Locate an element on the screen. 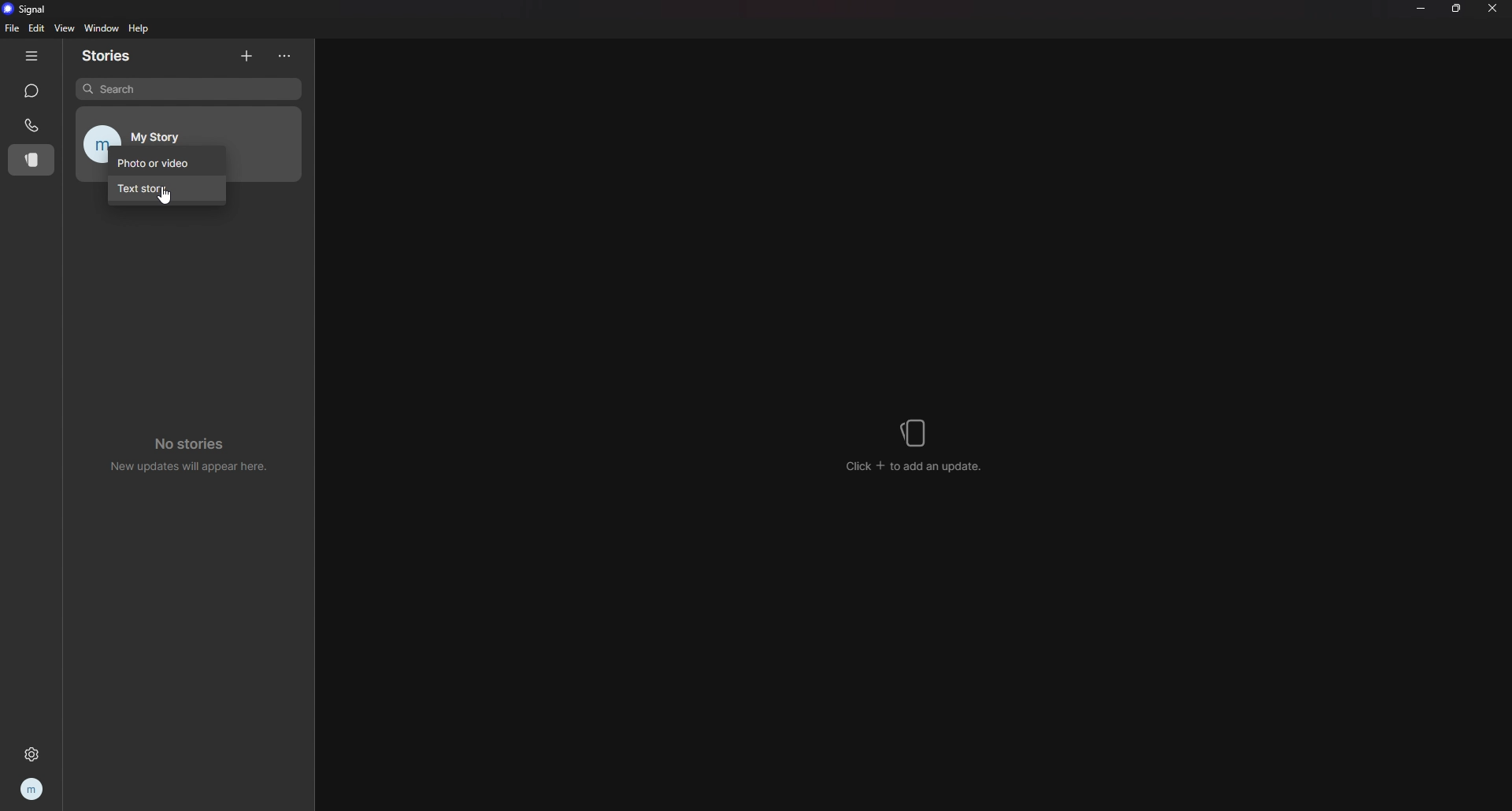 This screenshot has width=1512, height=811. help is located at coordinates (140, 28).